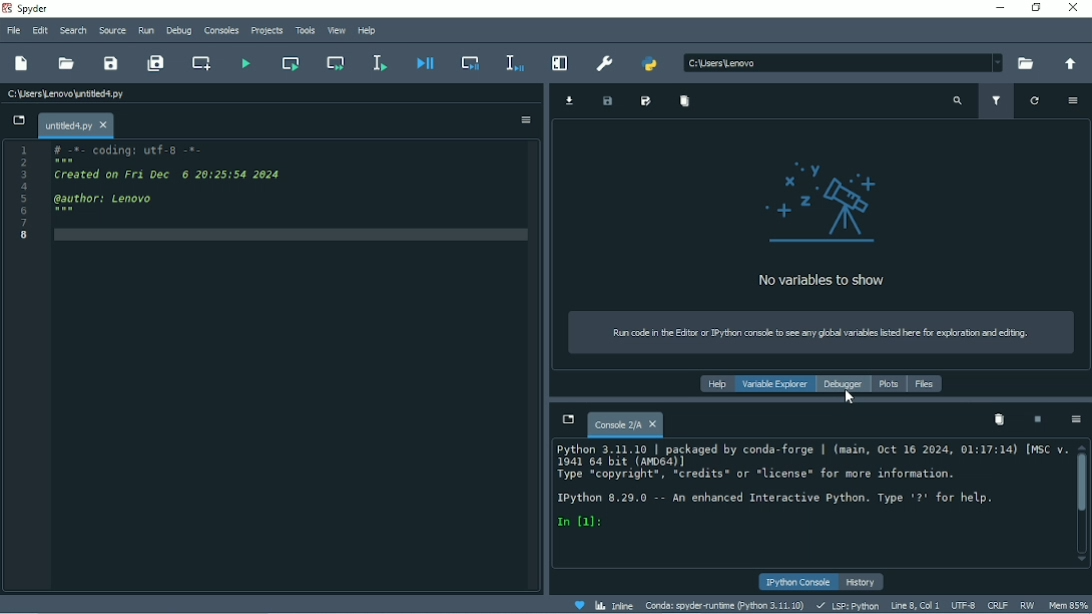 This screenshot has height=614, width=1092. I want to click on Projects, so click(267, 31).